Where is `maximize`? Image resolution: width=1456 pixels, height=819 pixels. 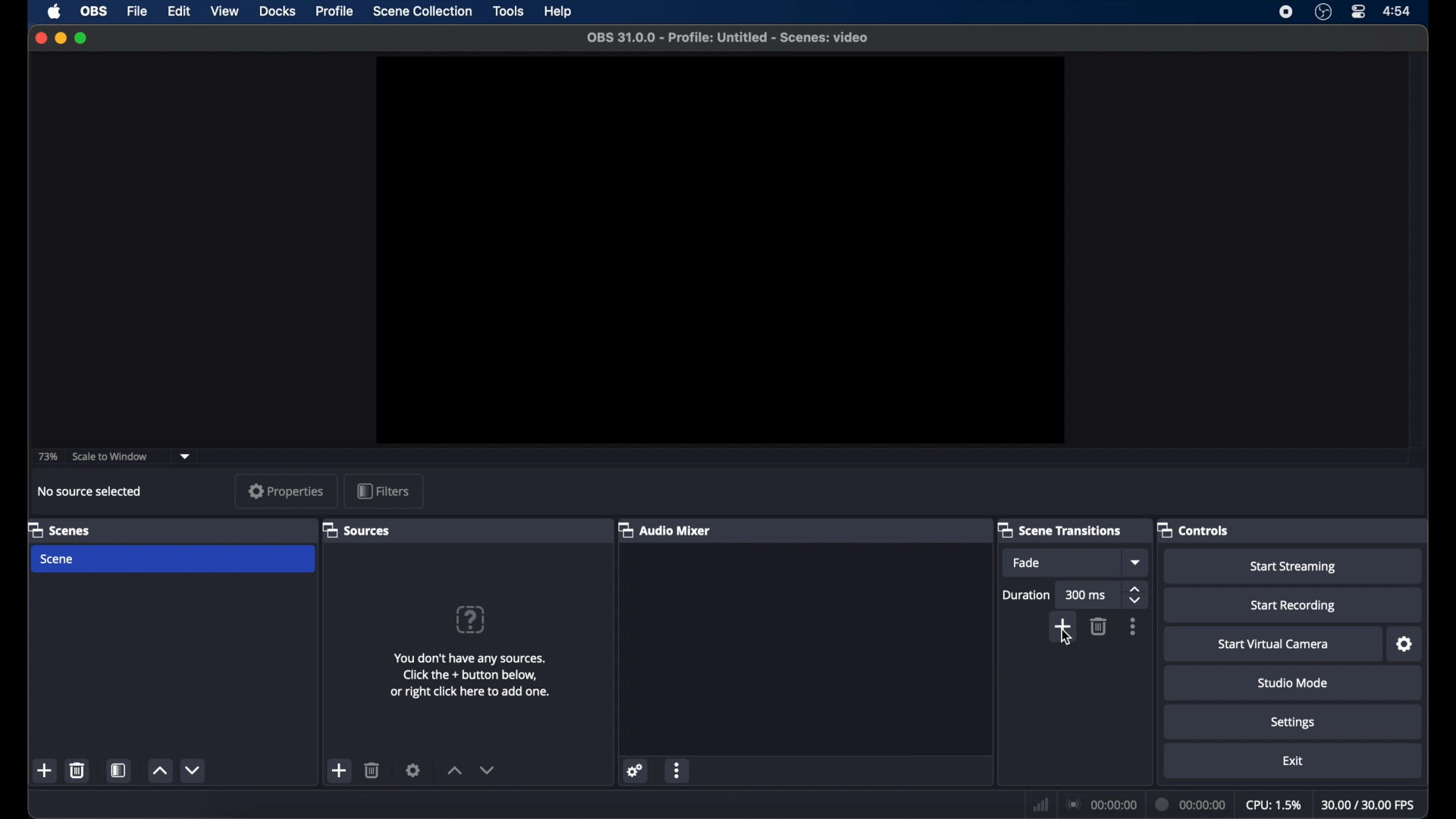 maximize is located at coordinates (82, 39).